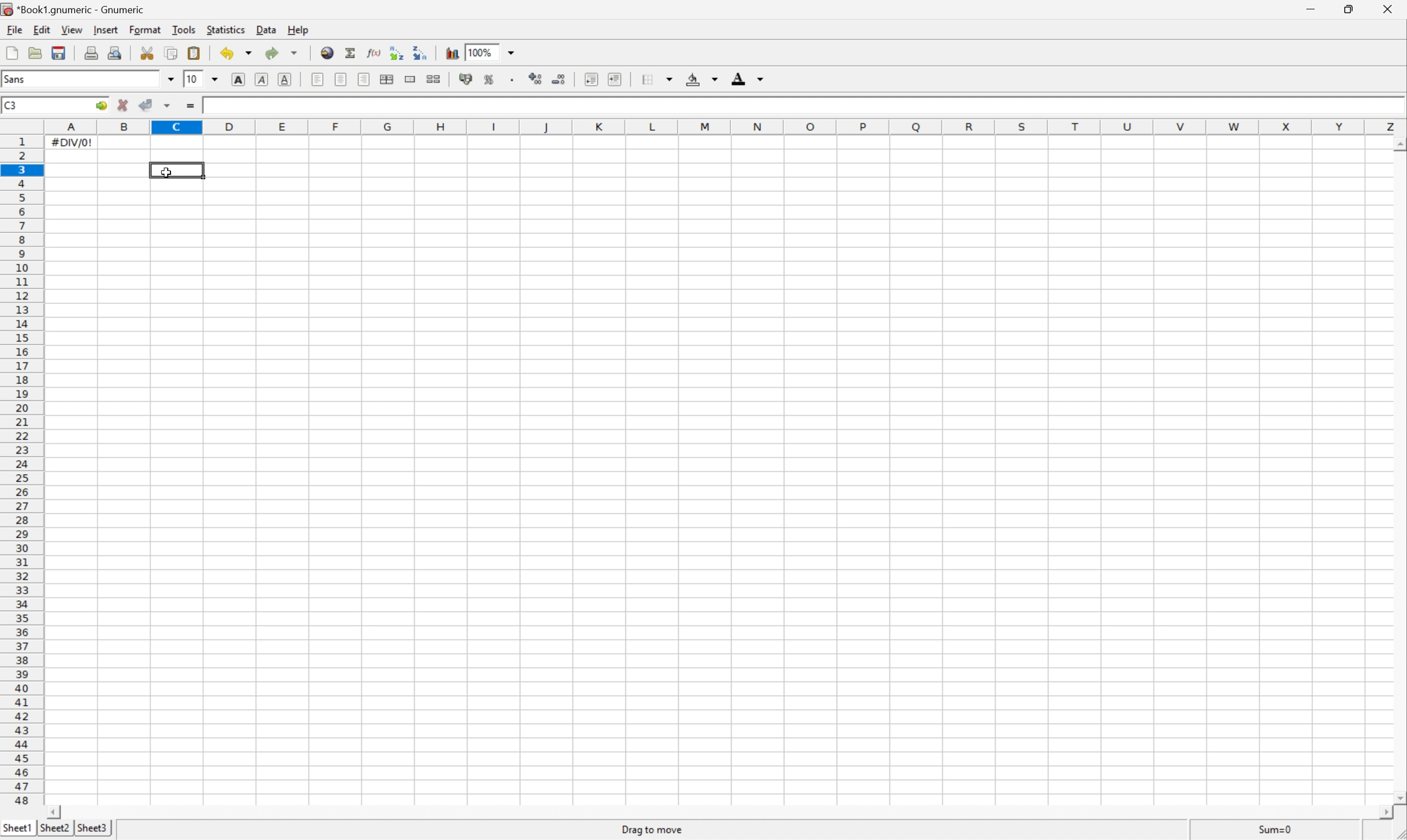 The width and height of the screenshot is (1407, 840). I want to click on Align left, so click(319, 80).